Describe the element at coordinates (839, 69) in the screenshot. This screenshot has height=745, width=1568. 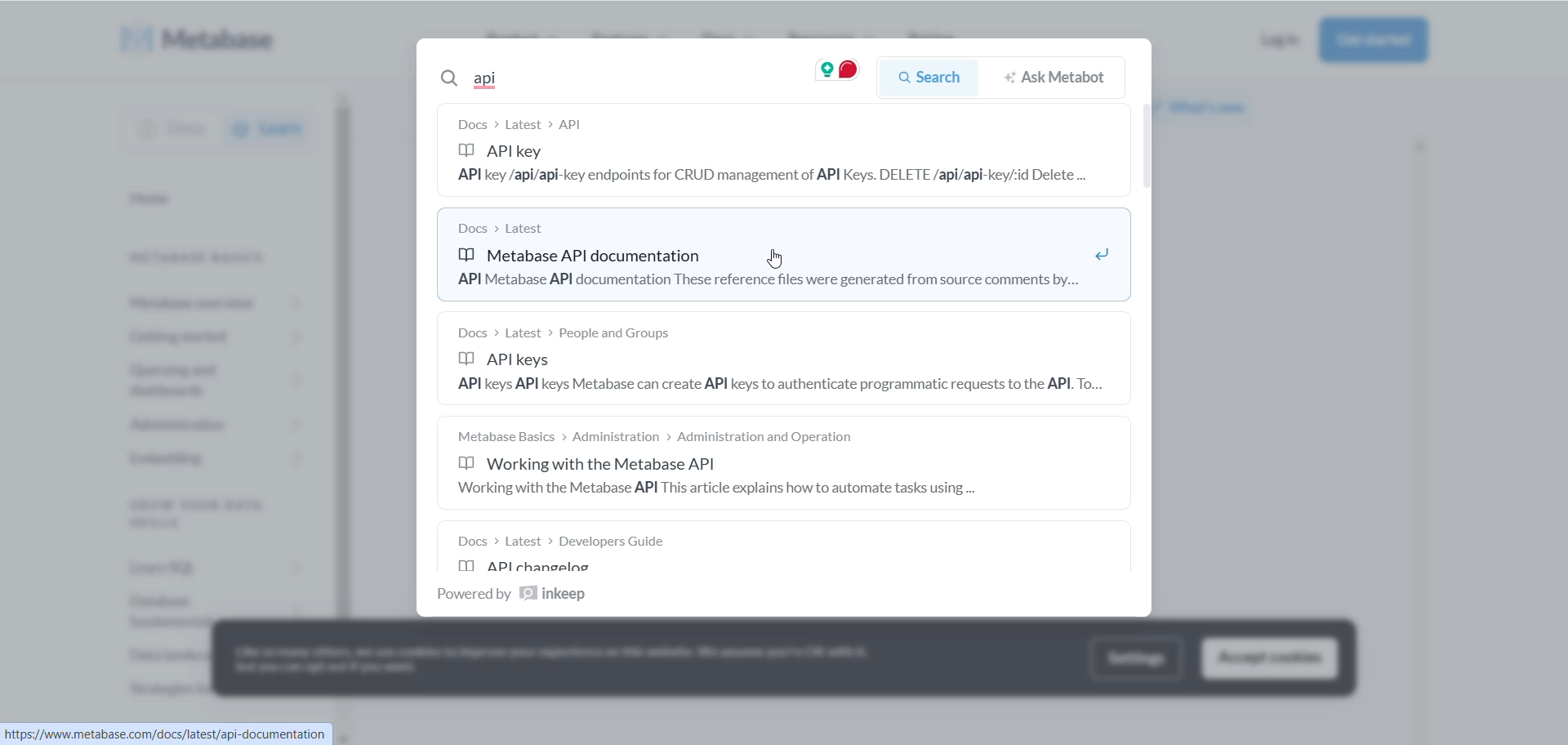
I see `grammarly hover` at that location.